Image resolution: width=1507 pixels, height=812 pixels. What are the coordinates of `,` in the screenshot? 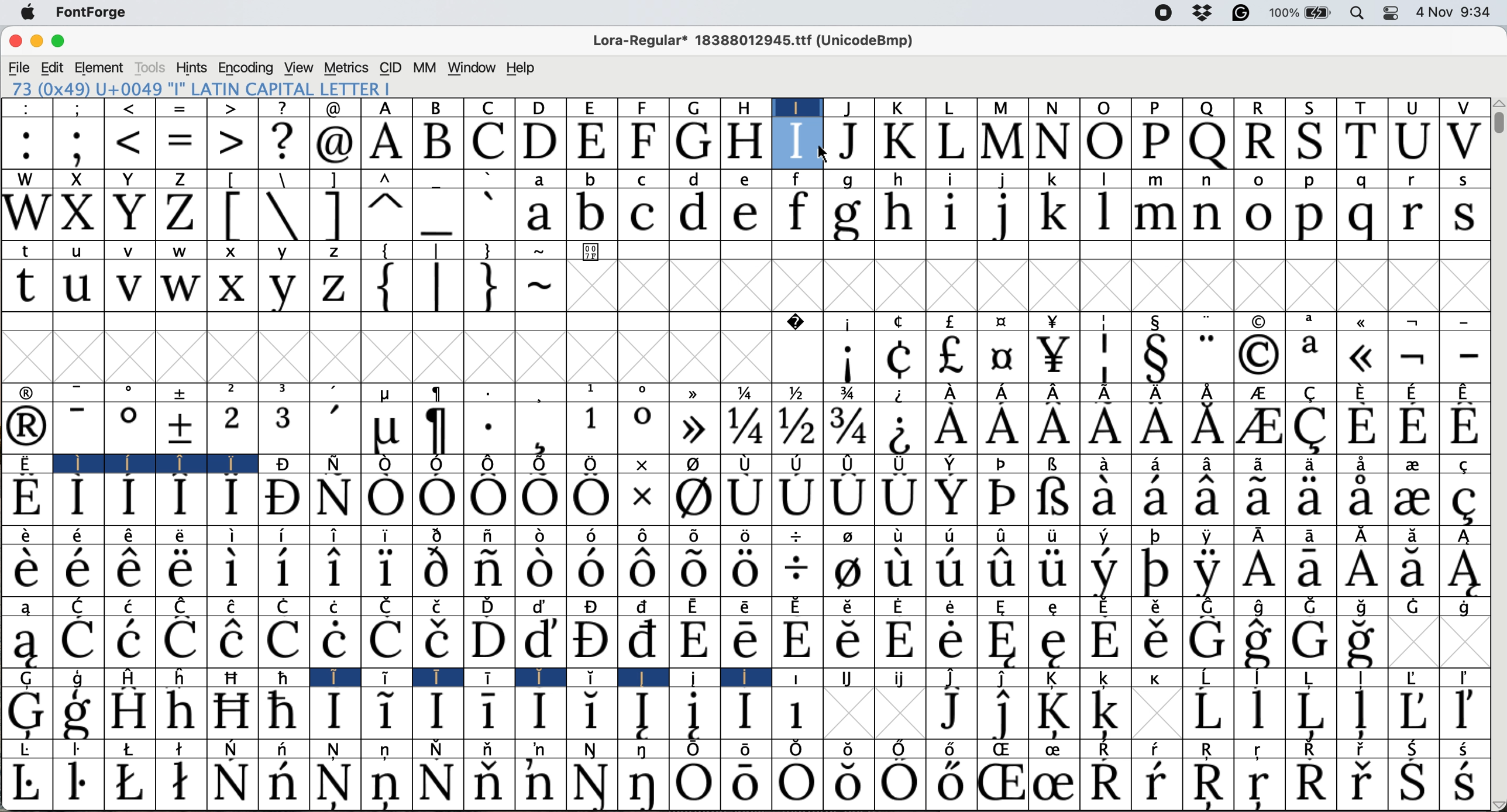 It's located at (336, 393).